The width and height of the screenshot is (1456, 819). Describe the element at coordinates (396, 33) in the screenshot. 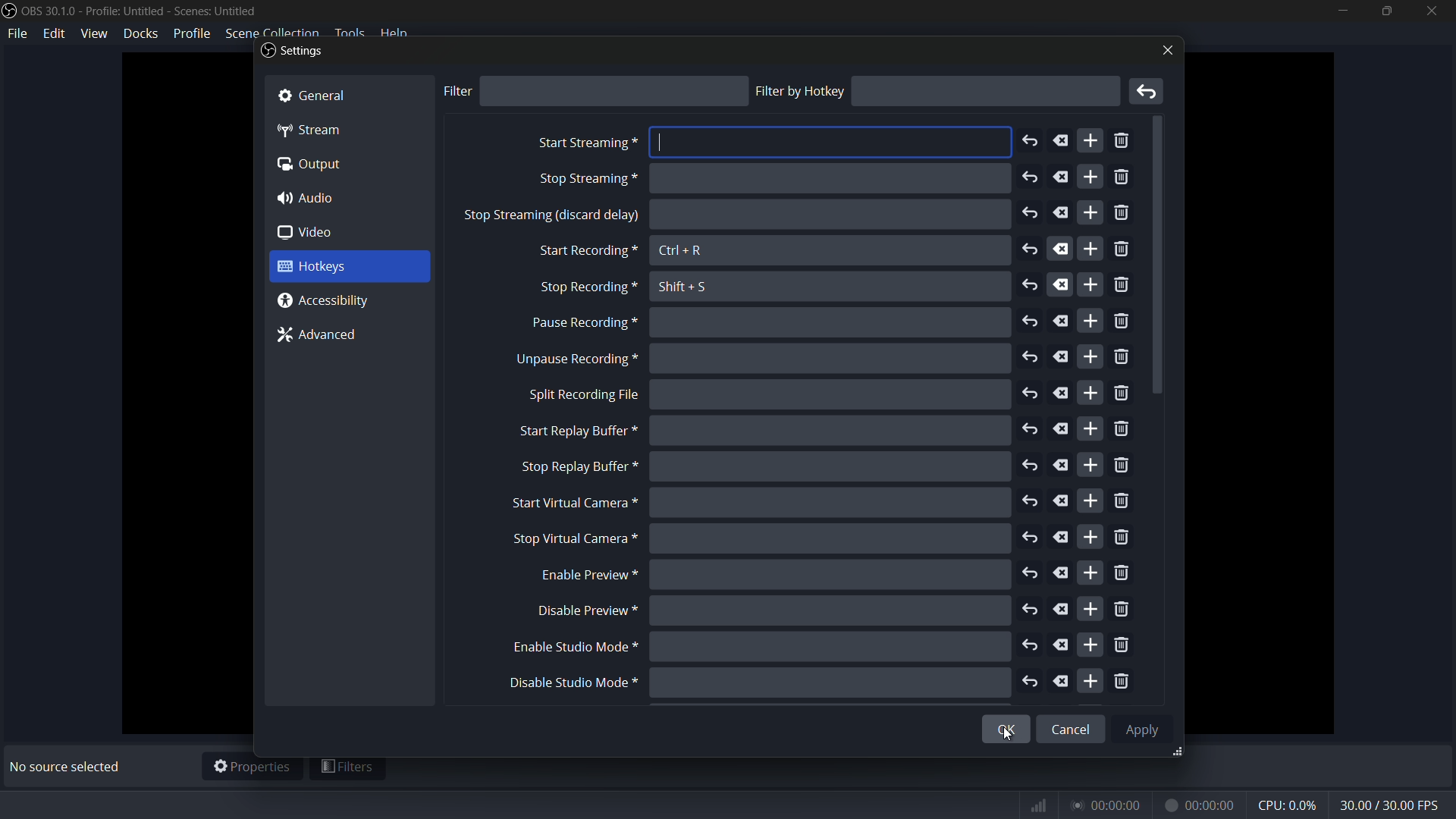

I see `help menu` at that location.